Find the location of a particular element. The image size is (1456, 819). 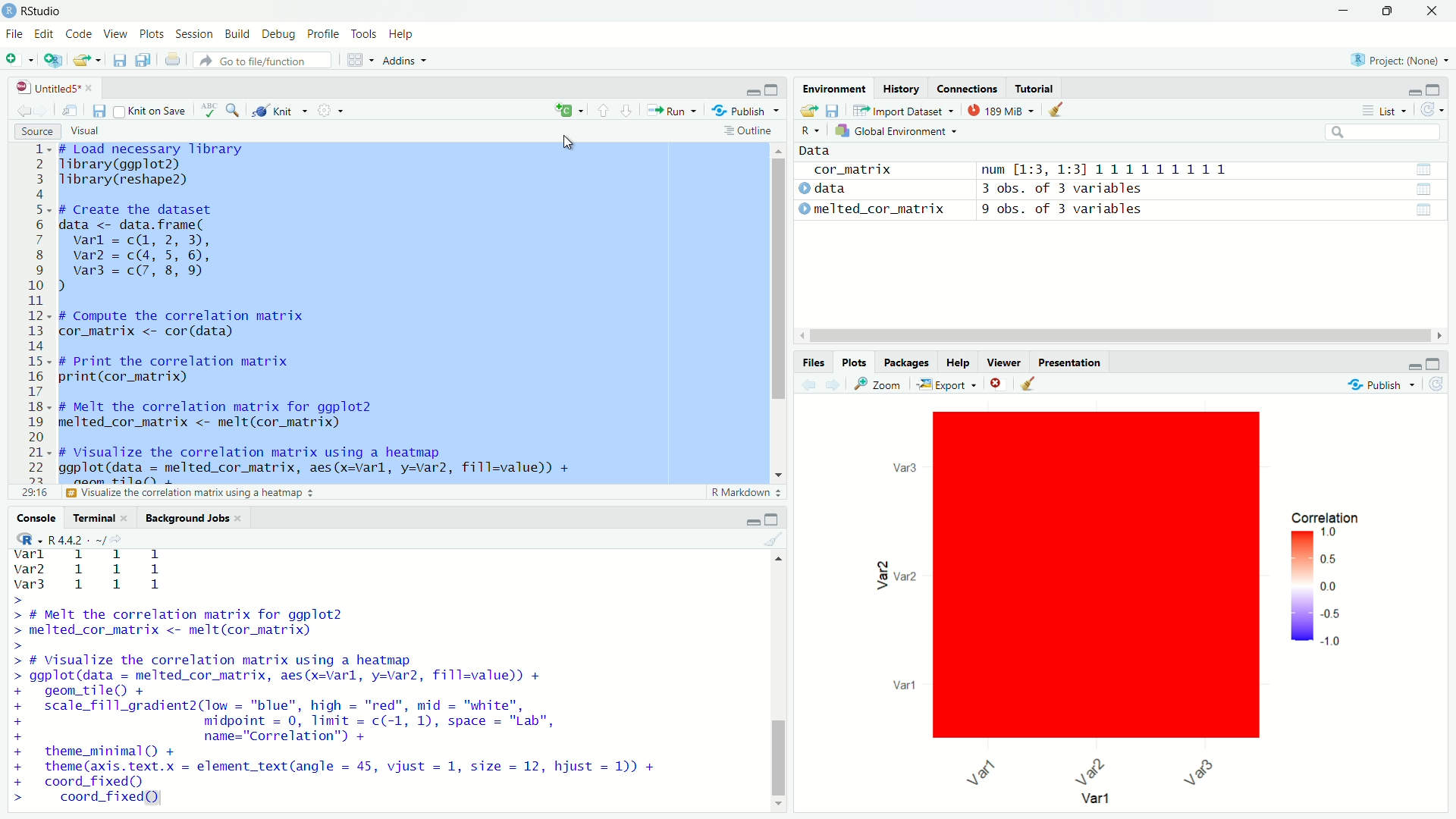

outline is located at coordinates (752, 131).